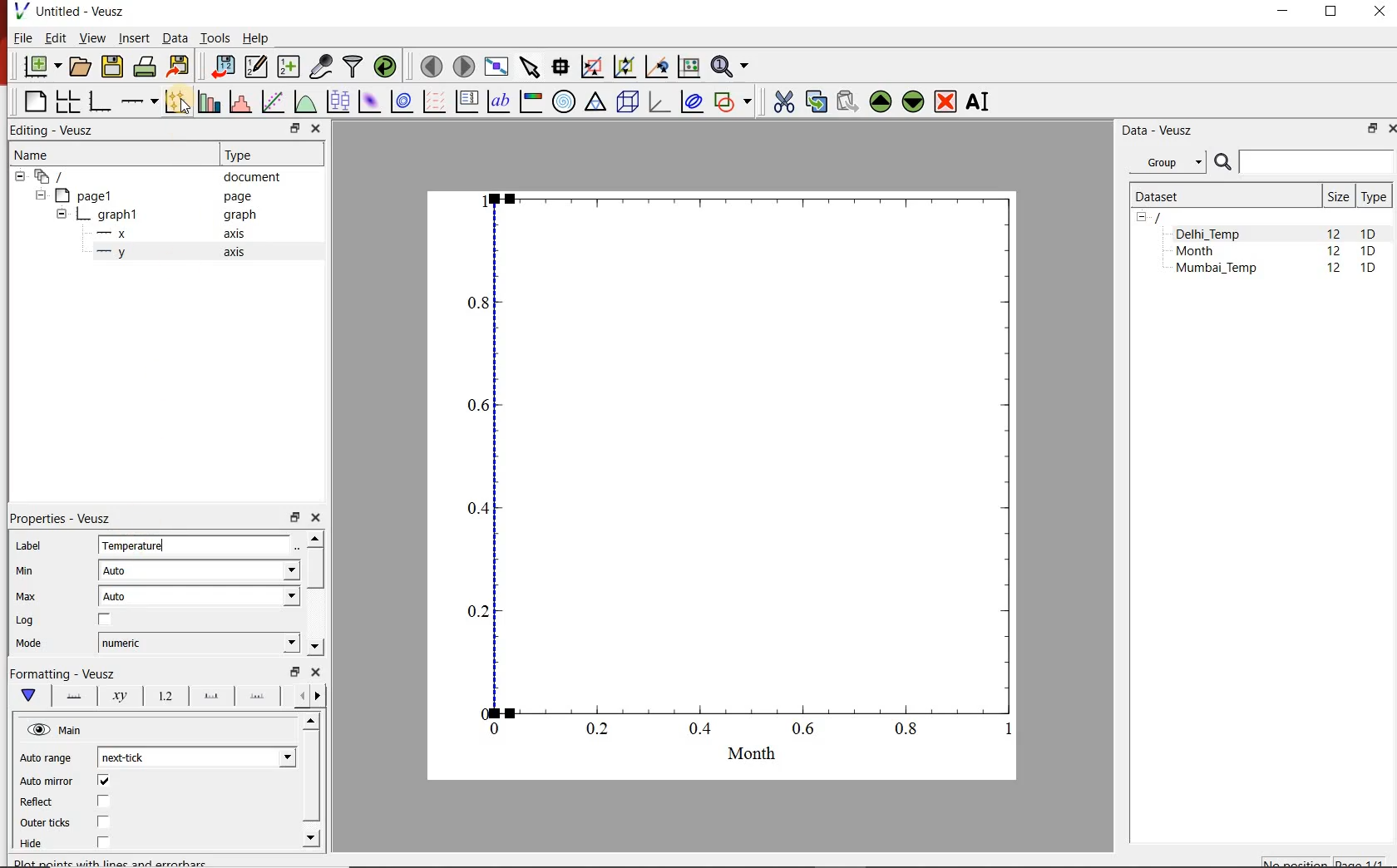  What do you see at coordinates (32, 101) in the screenshot?
I see `blank page` at bounding box center [32, 101].